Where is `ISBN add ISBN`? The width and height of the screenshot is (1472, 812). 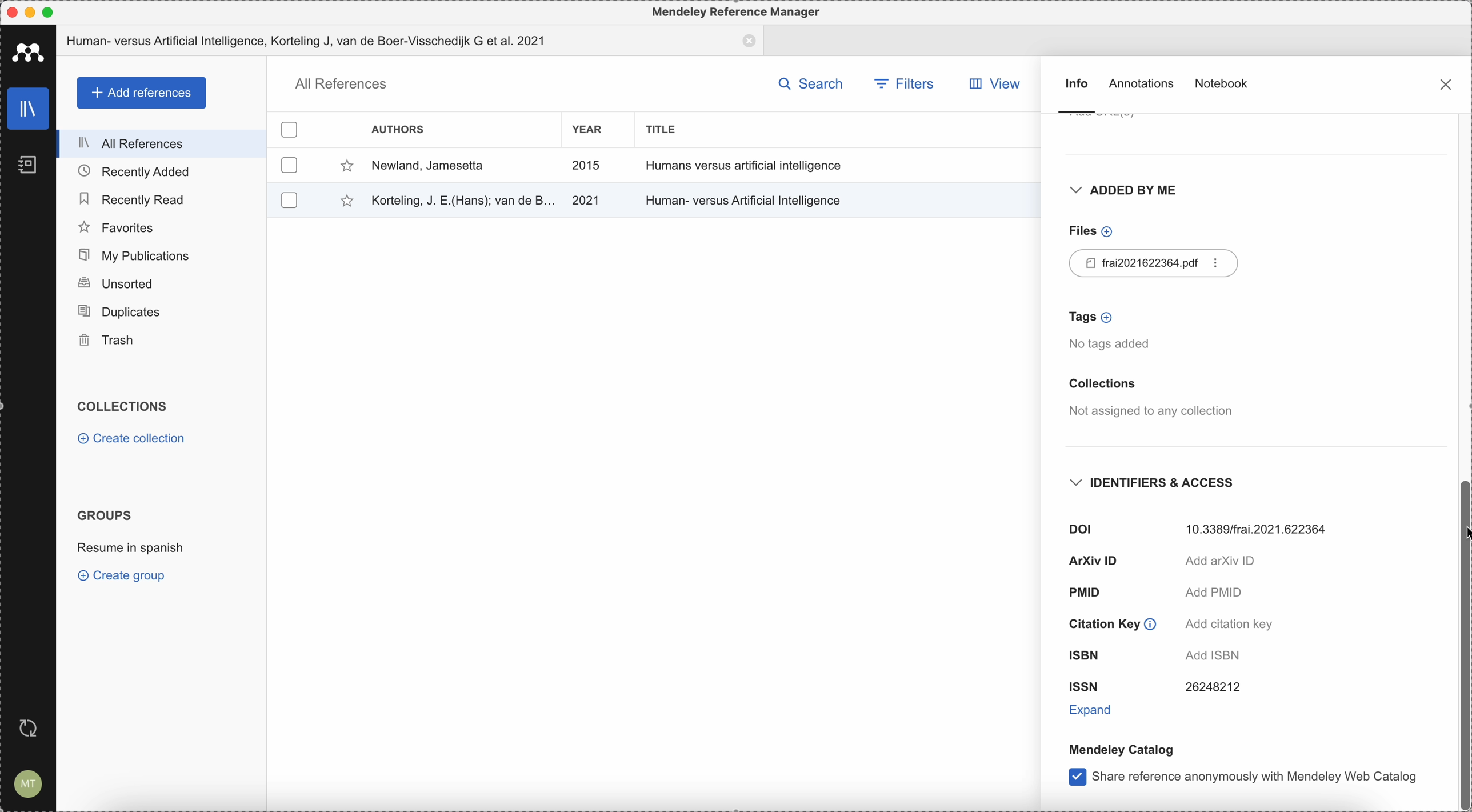 ISBN add ISBN is located at coordinates (1164, 654).